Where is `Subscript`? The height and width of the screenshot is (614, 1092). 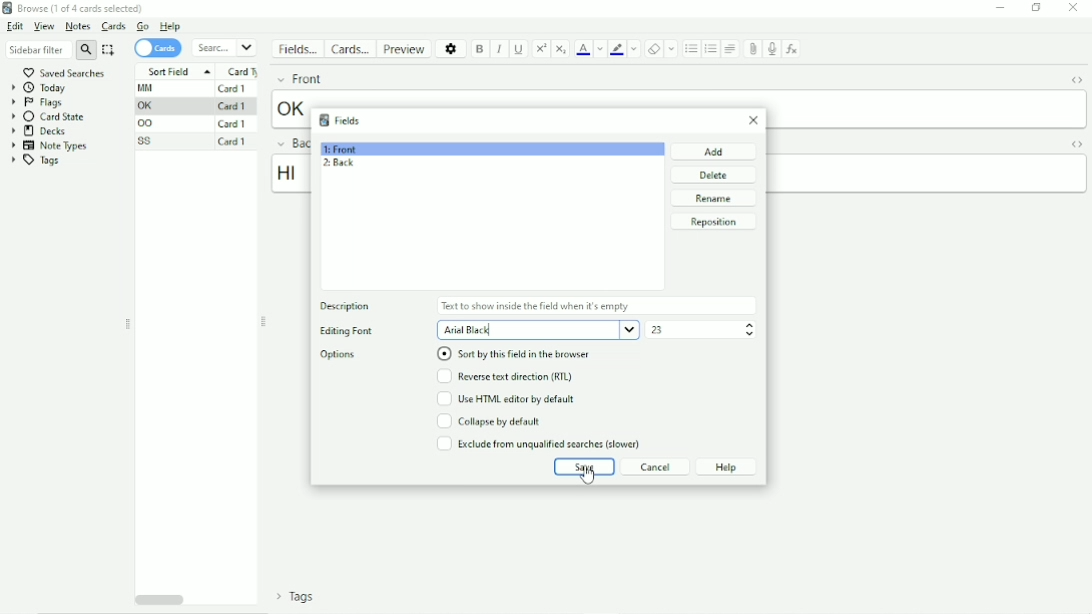 Subscript is located at coordinates (561, 48).